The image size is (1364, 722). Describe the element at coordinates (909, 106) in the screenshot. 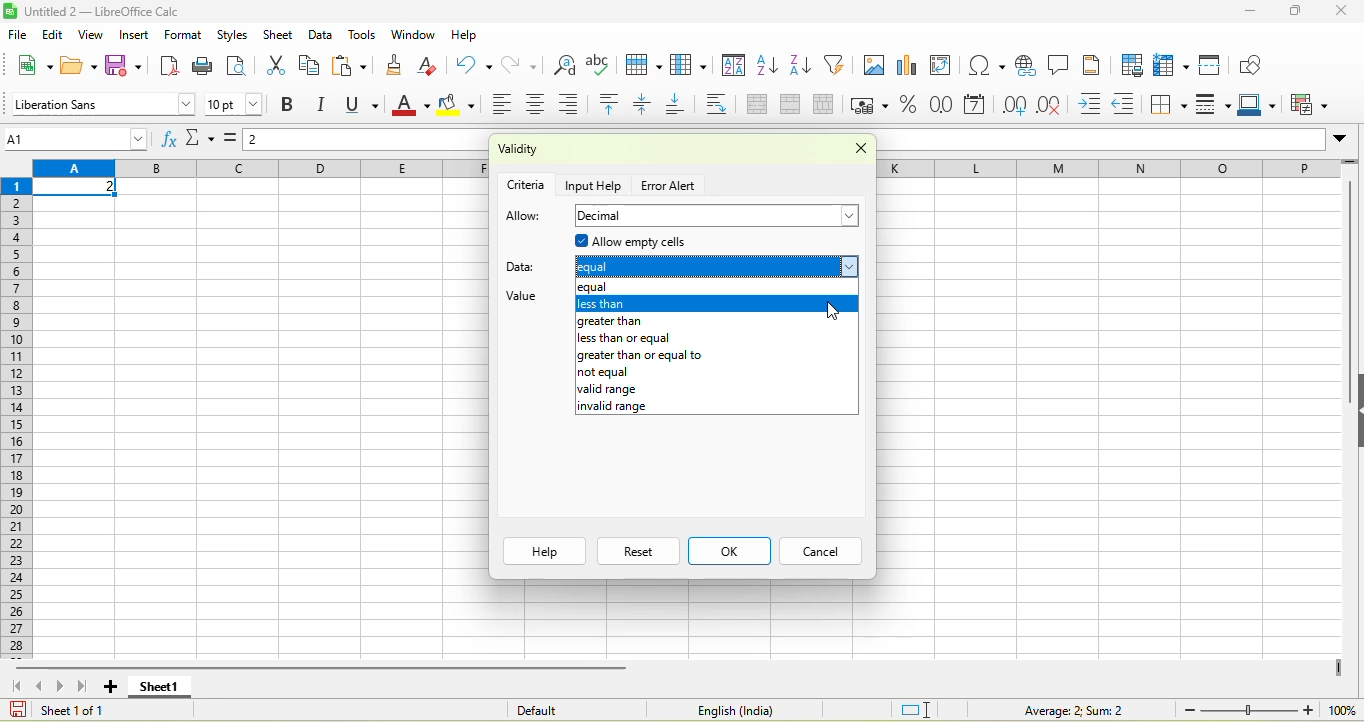

I see `format as percent` at that location.